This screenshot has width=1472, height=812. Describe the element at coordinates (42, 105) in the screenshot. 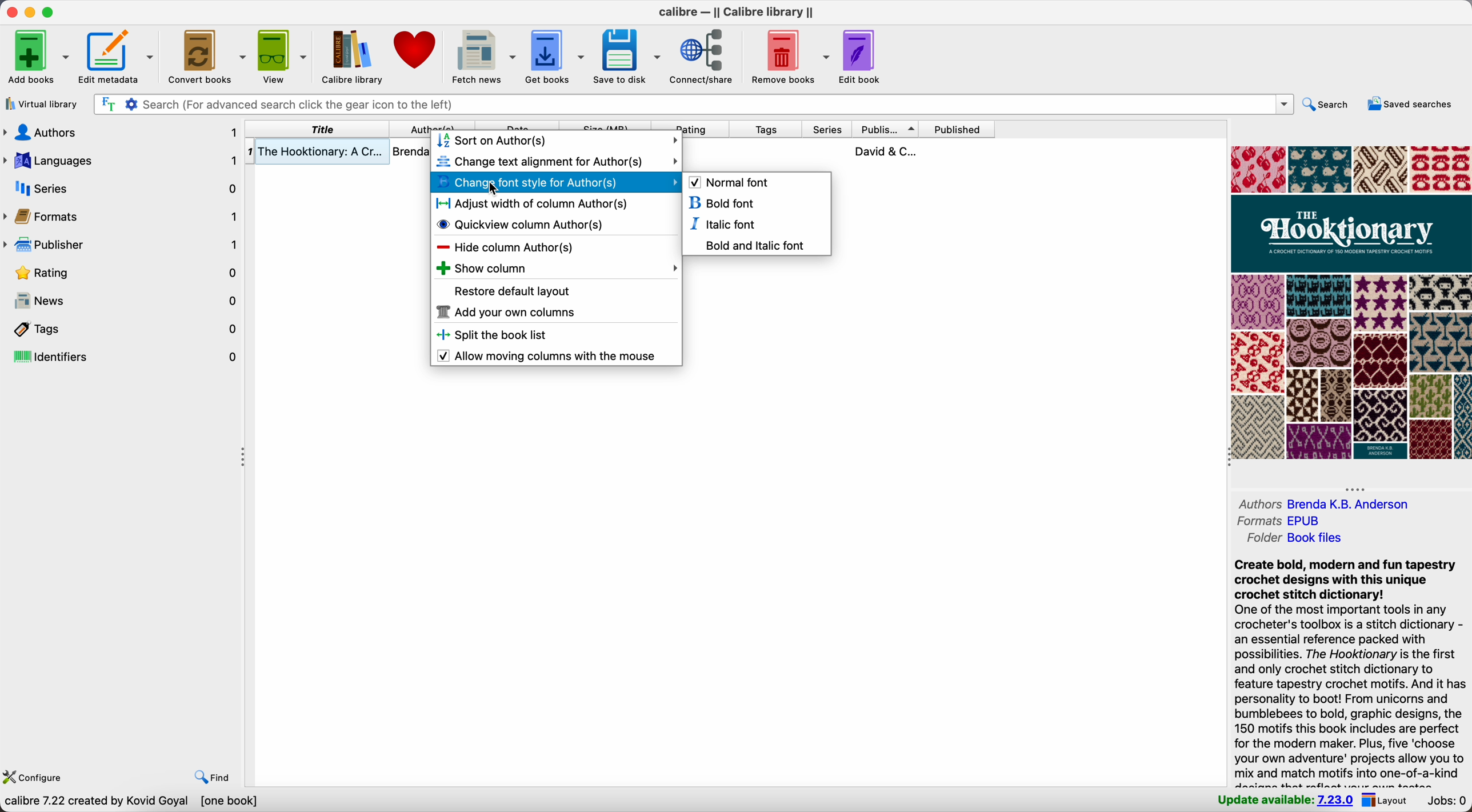

I see `virtual library` at that location.